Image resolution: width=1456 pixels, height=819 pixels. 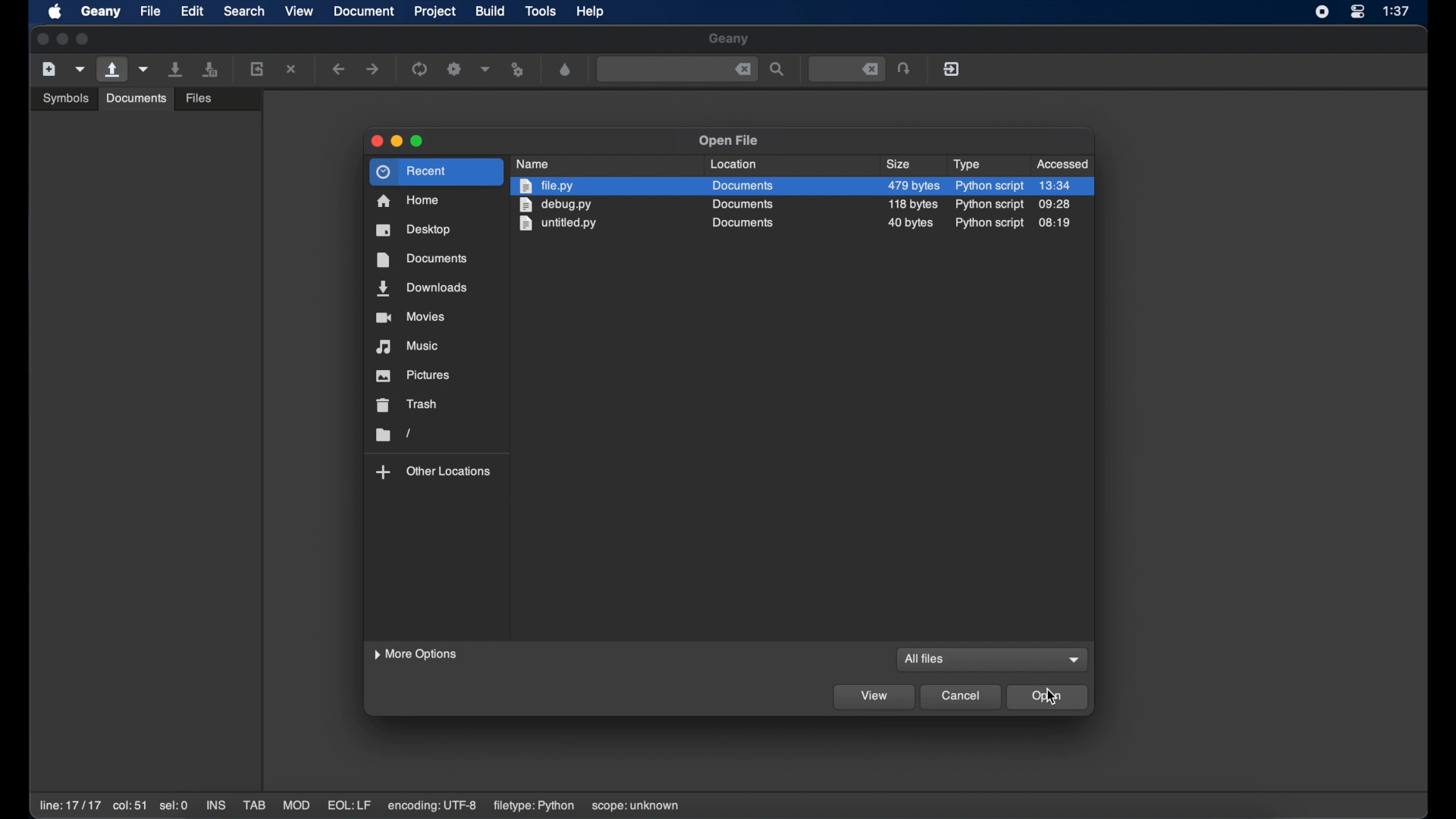 What do you see at coordinates (728, 141) in the screenshot?
I see `open file` at bounding box center [728, 141].